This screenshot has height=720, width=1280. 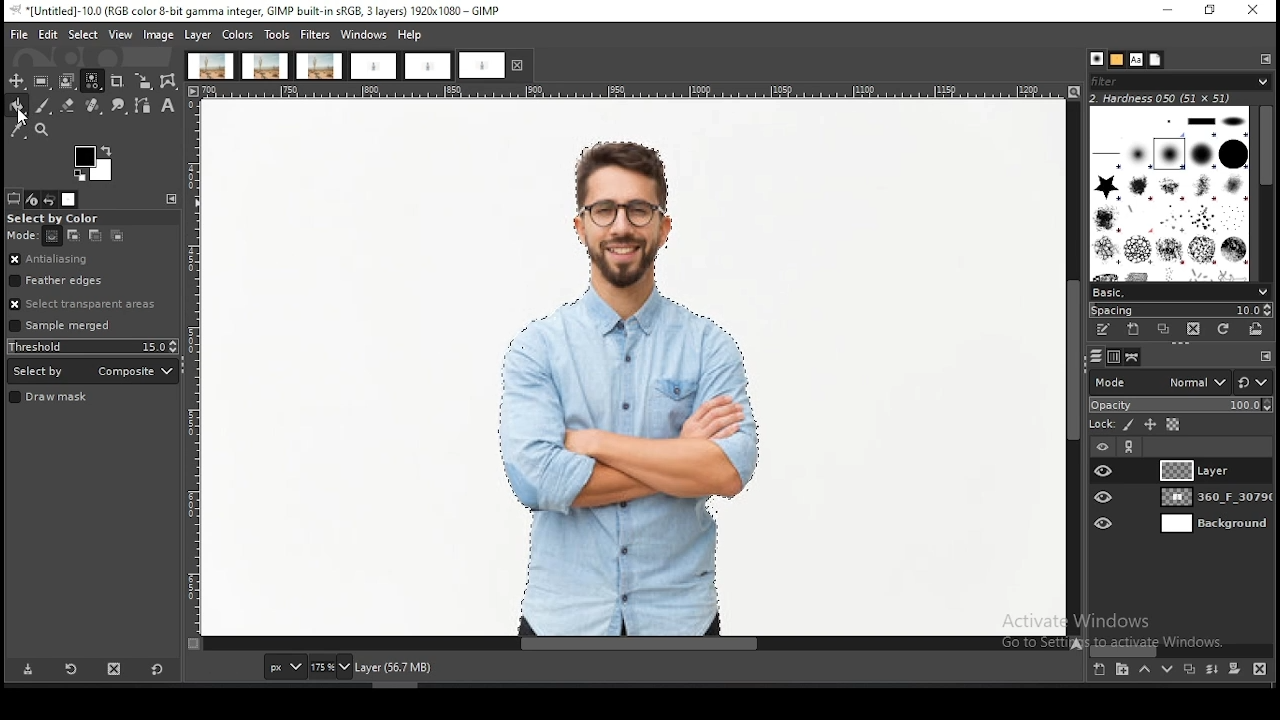 What do you see at coordinates (1105, 471) in the screenshot?
I see `layer visibility on/off` at bounding box center [1105, 471].